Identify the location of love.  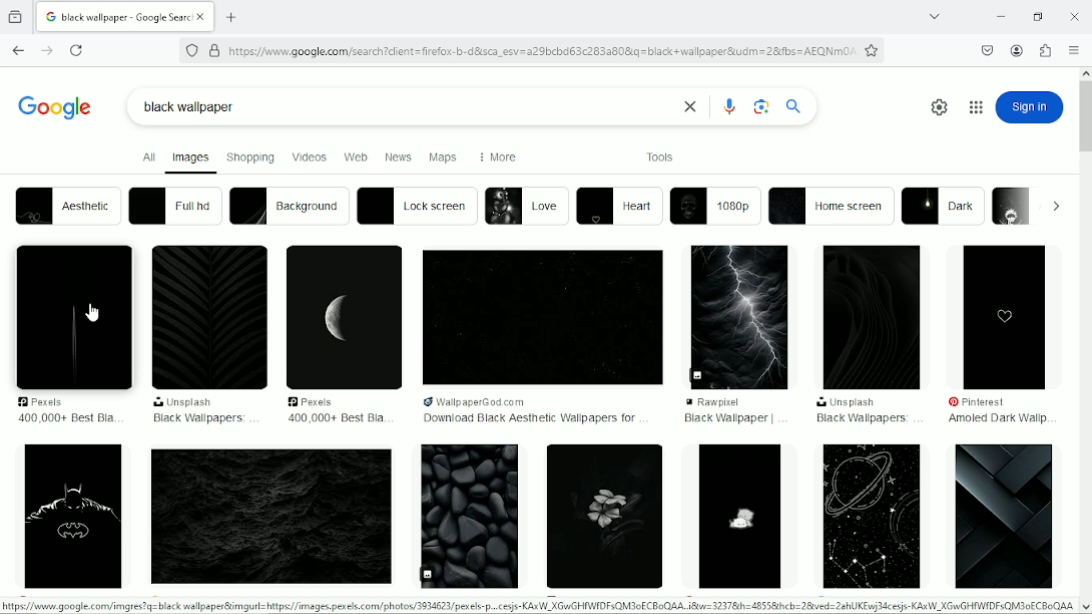
(526, 205).